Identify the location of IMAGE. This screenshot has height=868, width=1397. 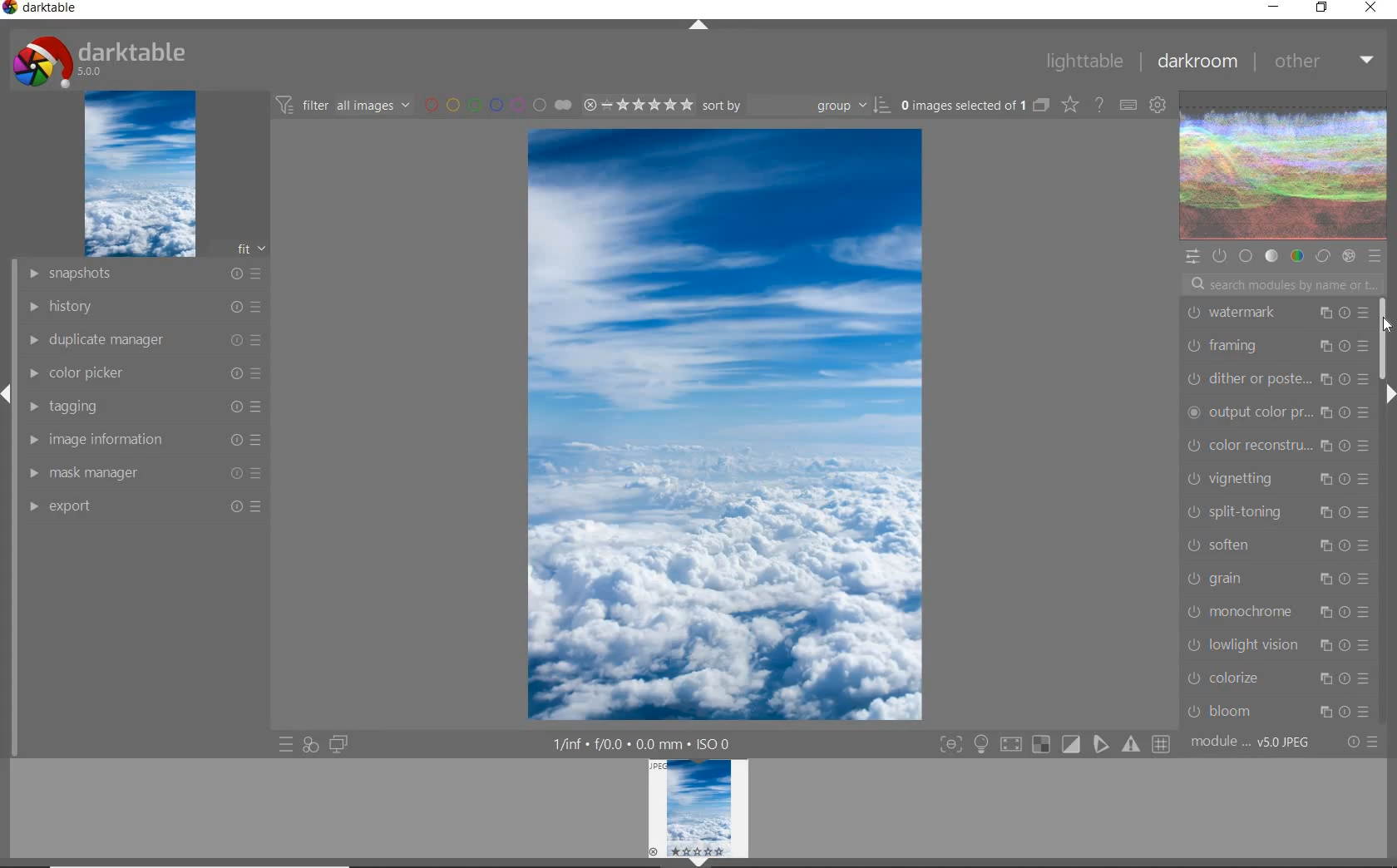
(138, 175).